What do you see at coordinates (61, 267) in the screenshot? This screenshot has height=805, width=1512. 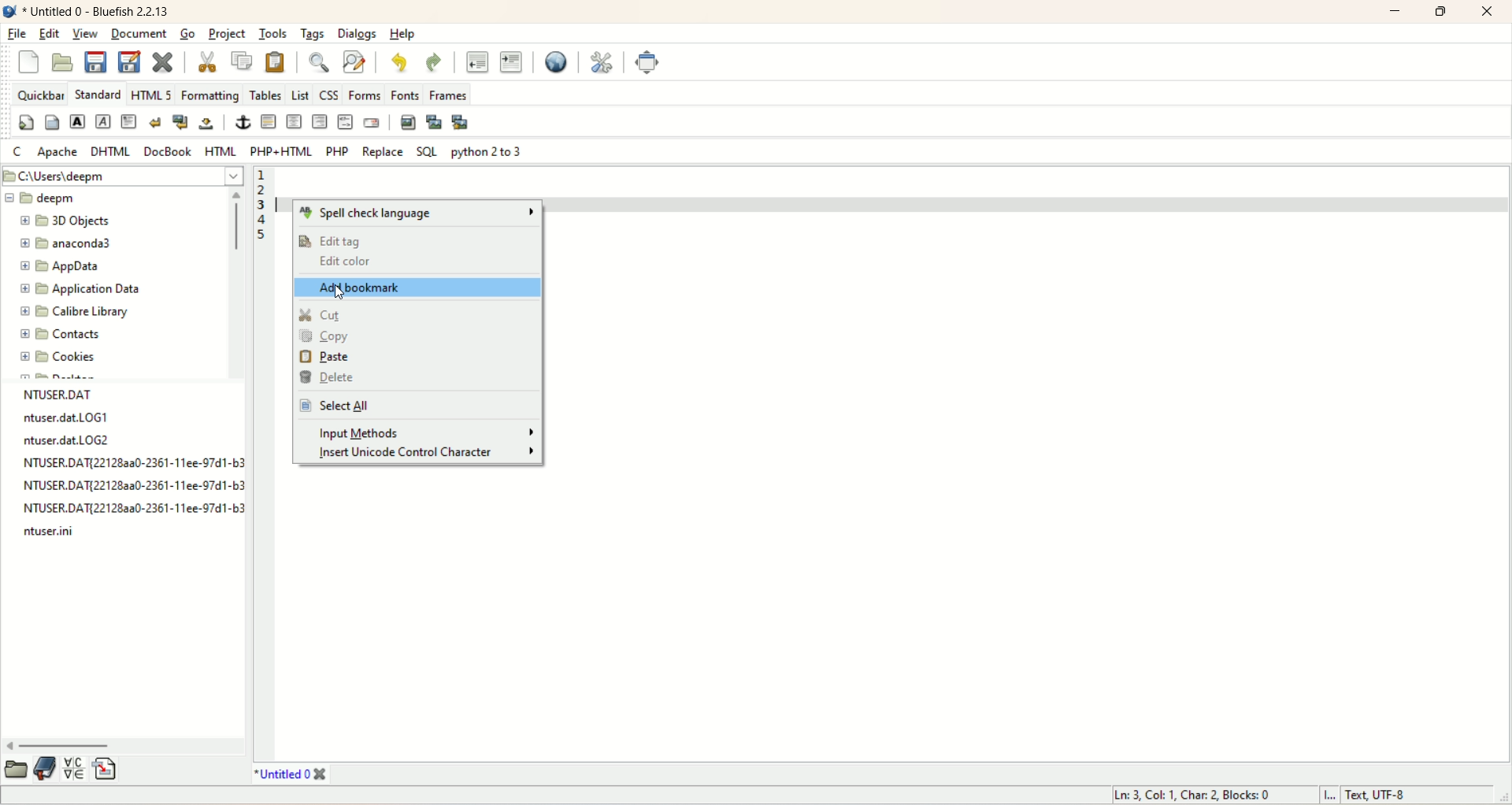 I see `app data` at bounding box center [61, 267].